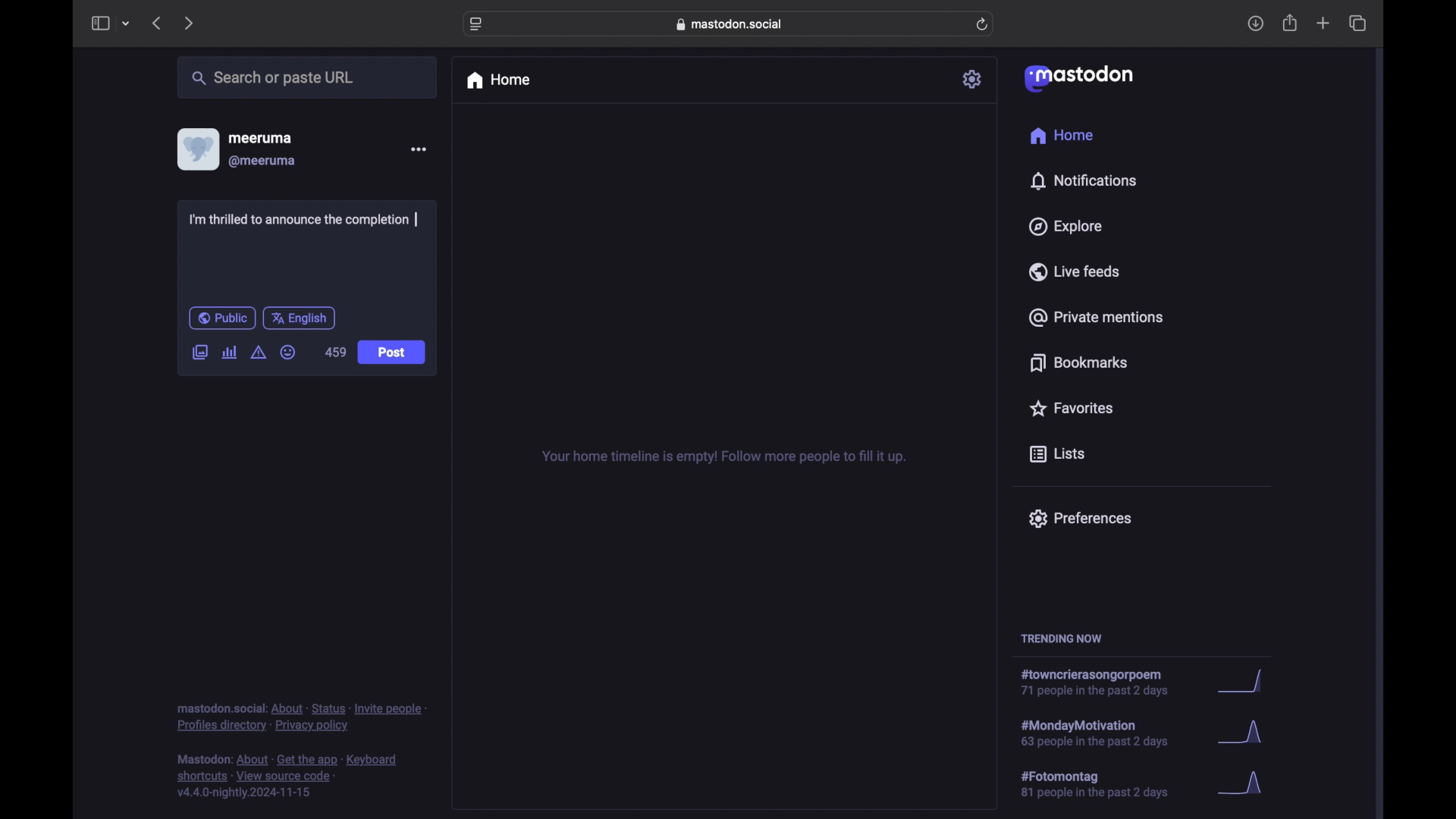 This screenshot has height=819, width=1456. I want to click on trending now, so click(1061, 639).